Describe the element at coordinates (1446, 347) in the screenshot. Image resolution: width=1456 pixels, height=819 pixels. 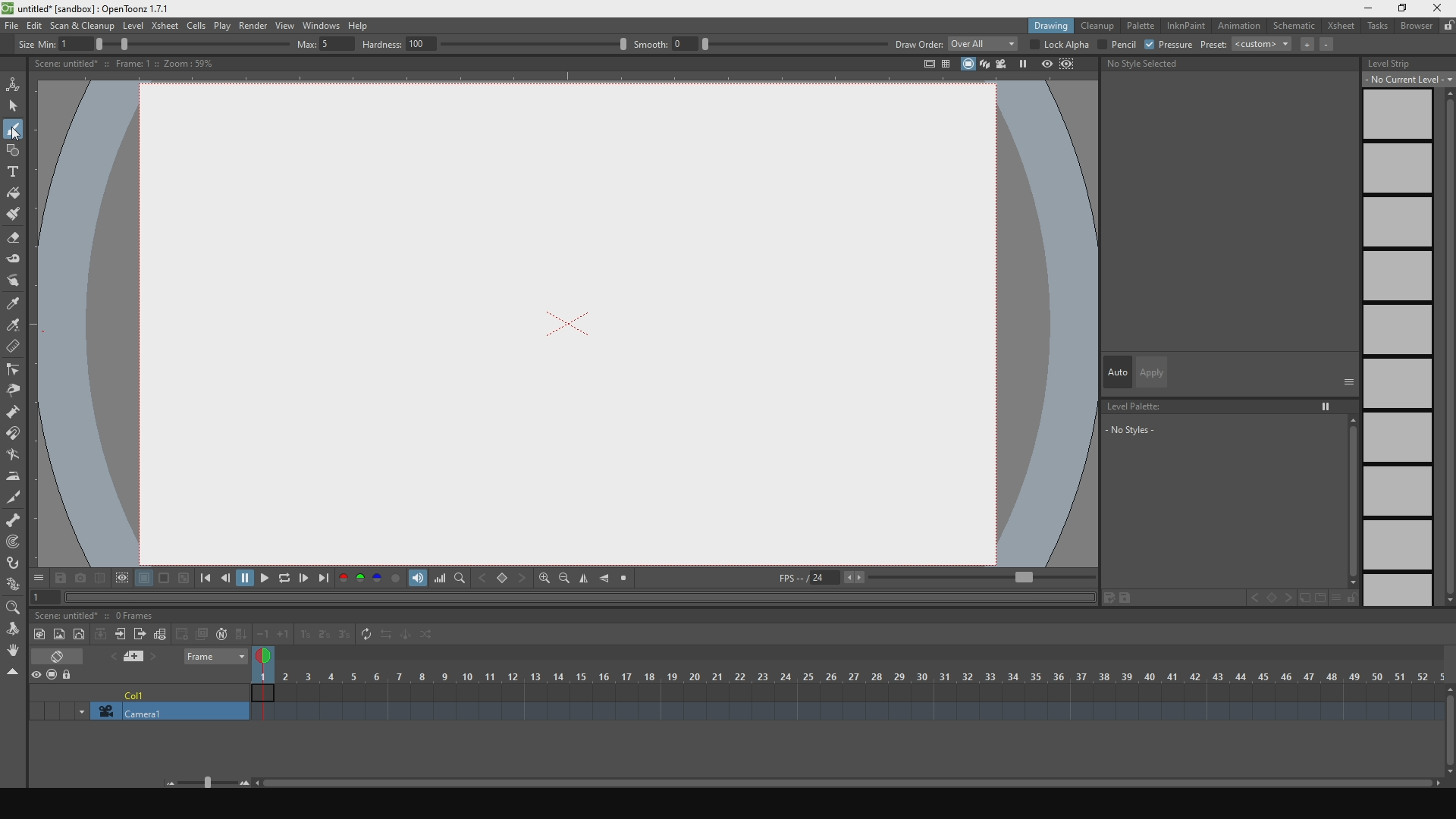
I see `vertical slider` at that location.